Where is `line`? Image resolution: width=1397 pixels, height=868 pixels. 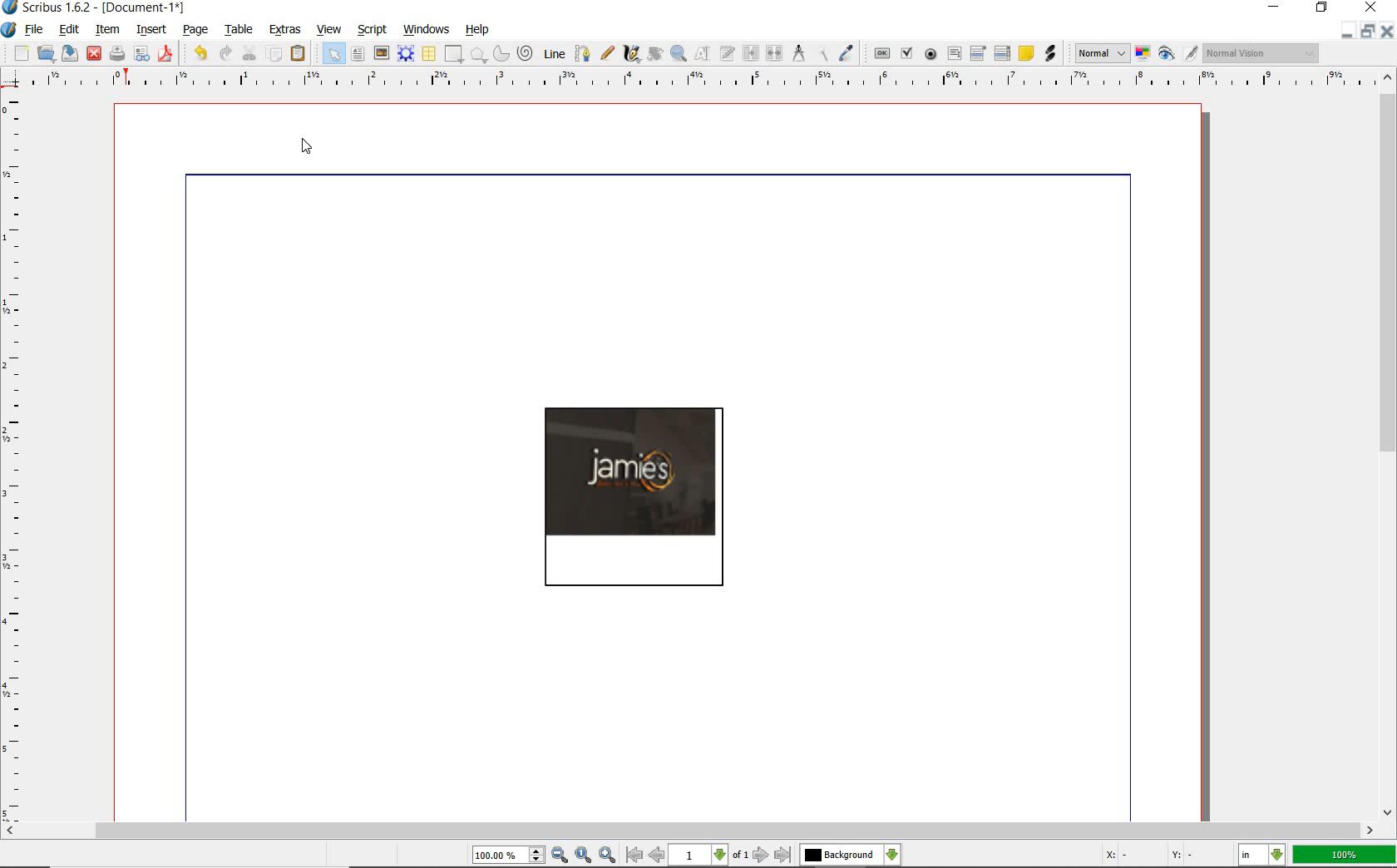
line is located at coordinates (555, 52).